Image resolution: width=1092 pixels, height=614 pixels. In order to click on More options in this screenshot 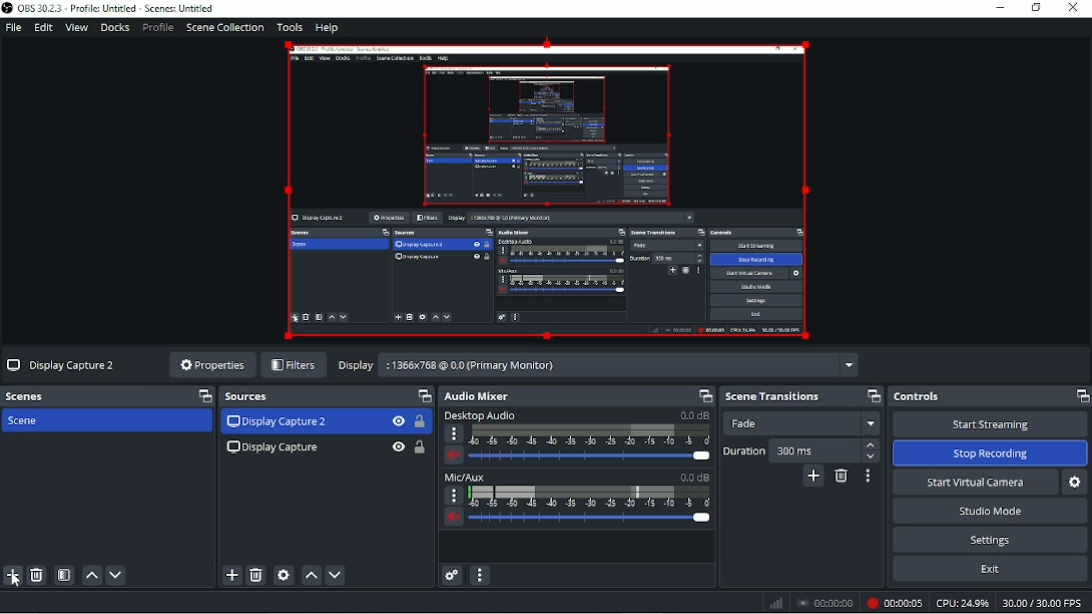, I will do `click(454, 495)`.